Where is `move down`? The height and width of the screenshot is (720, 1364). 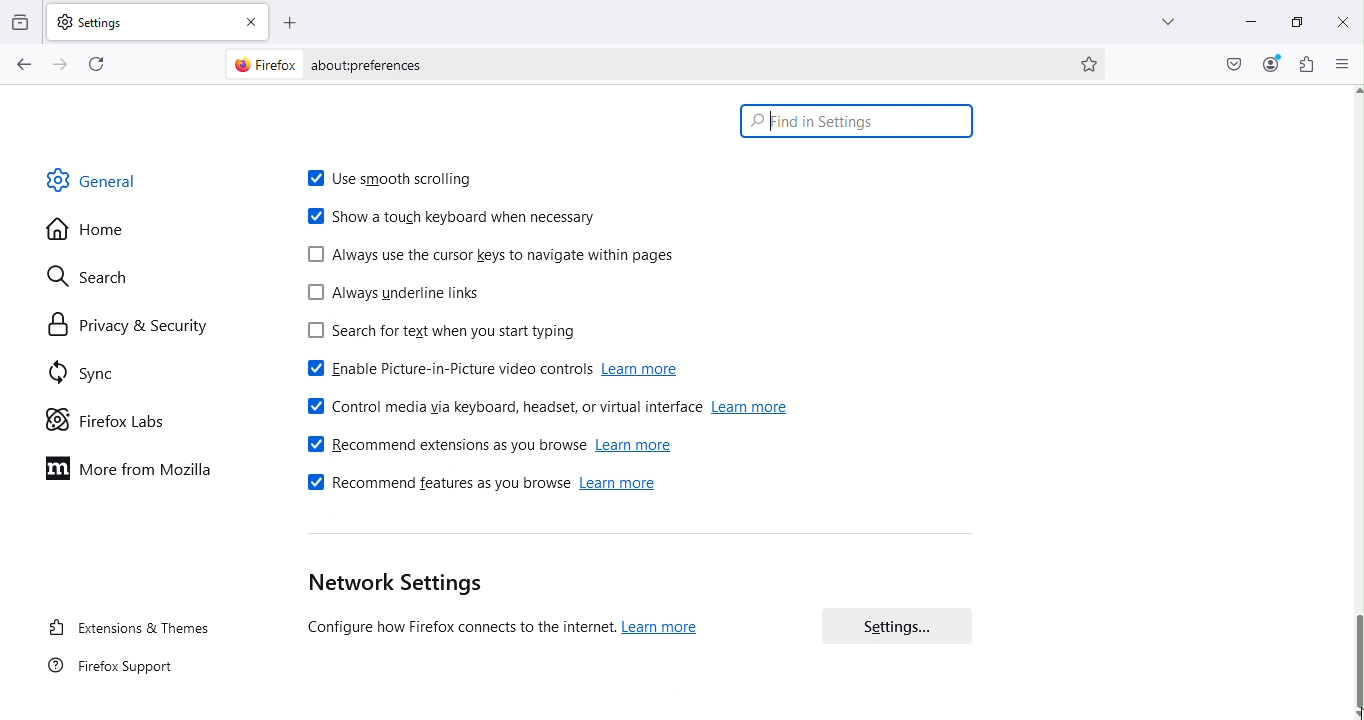
move down is located at coordinates (1355, 712).